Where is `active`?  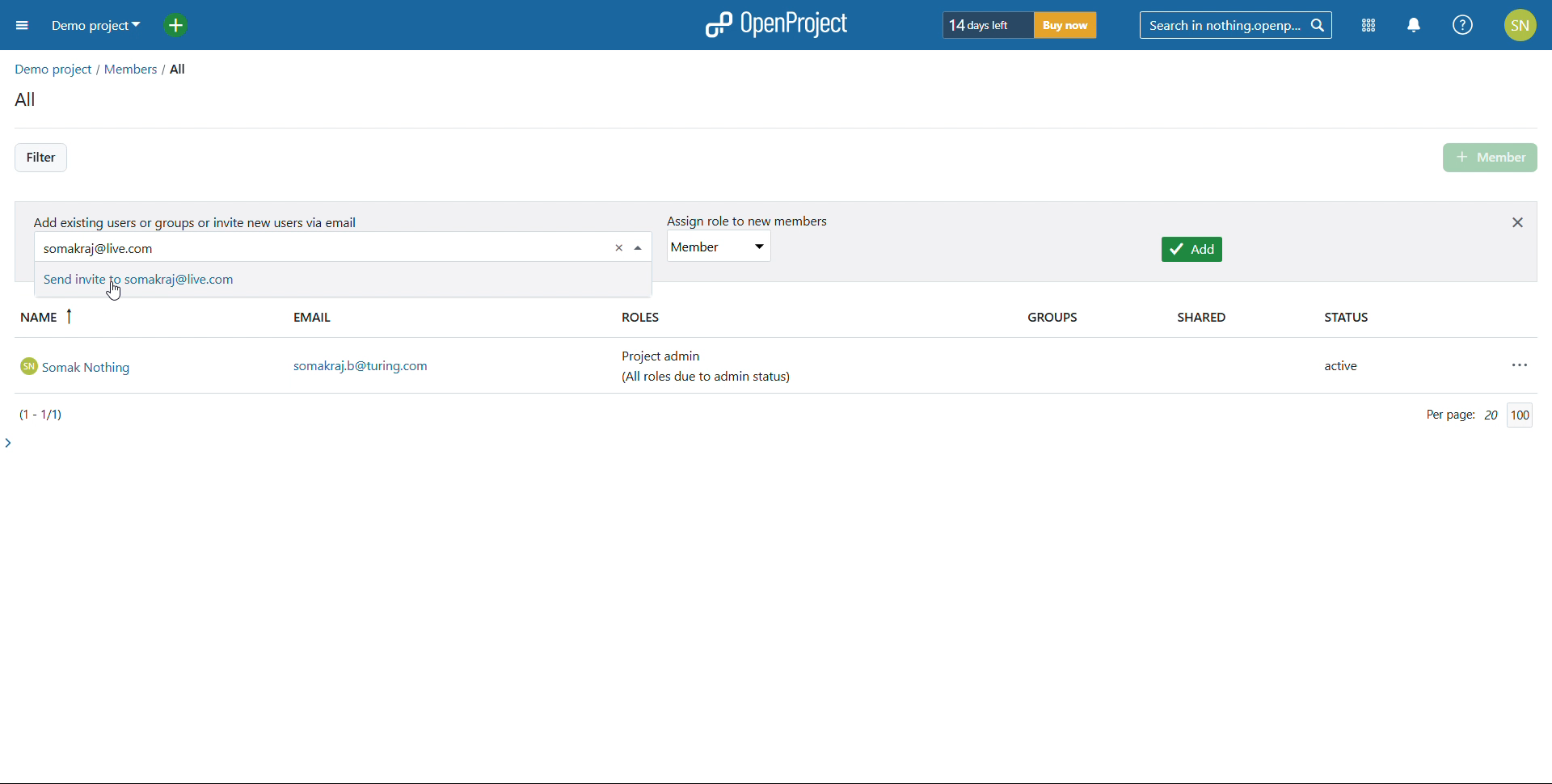 active is located at coordinates (1350, 368).